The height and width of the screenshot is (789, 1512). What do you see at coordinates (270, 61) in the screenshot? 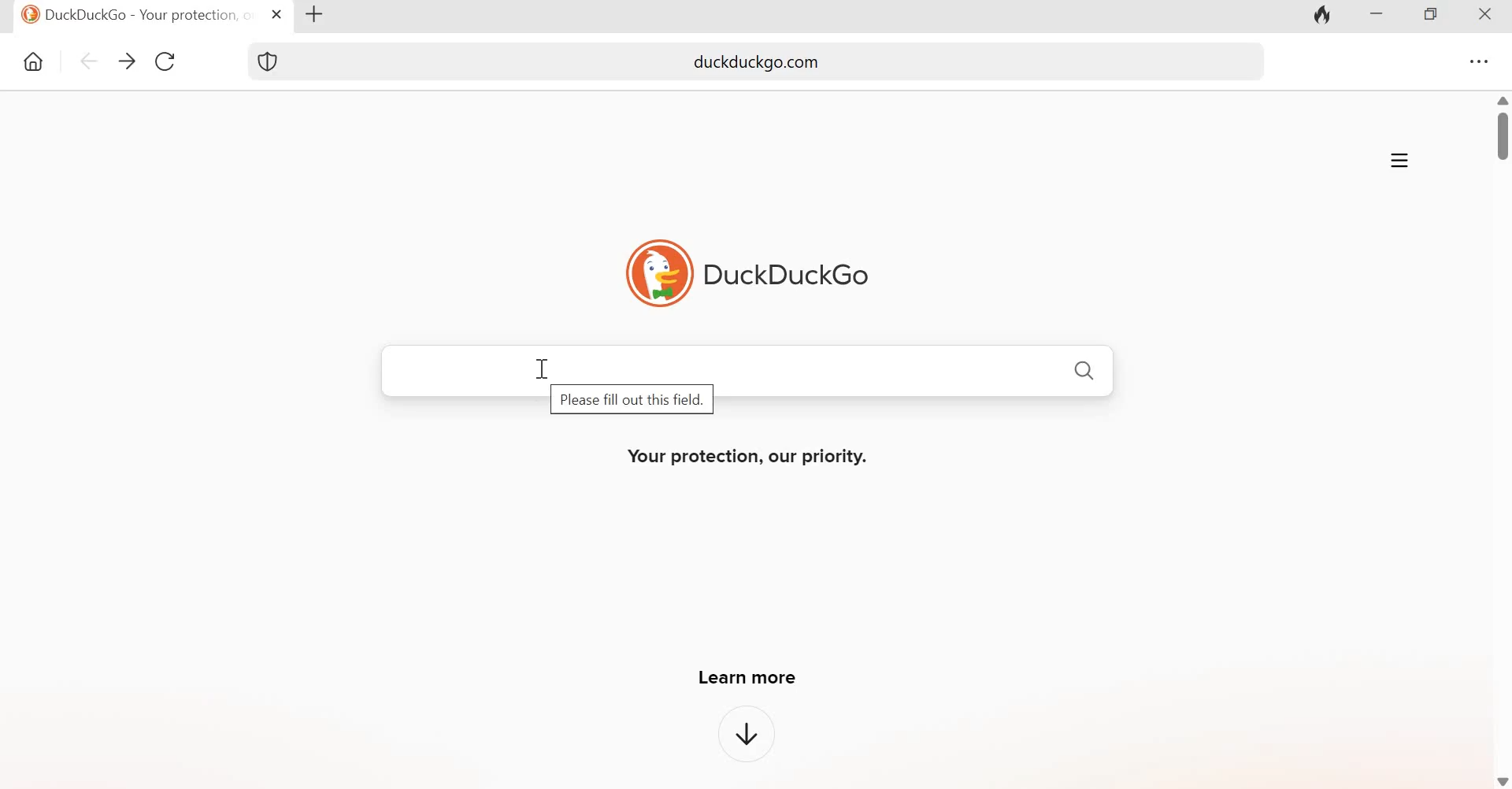
I see `Shield` at bounding box center [270, 61].